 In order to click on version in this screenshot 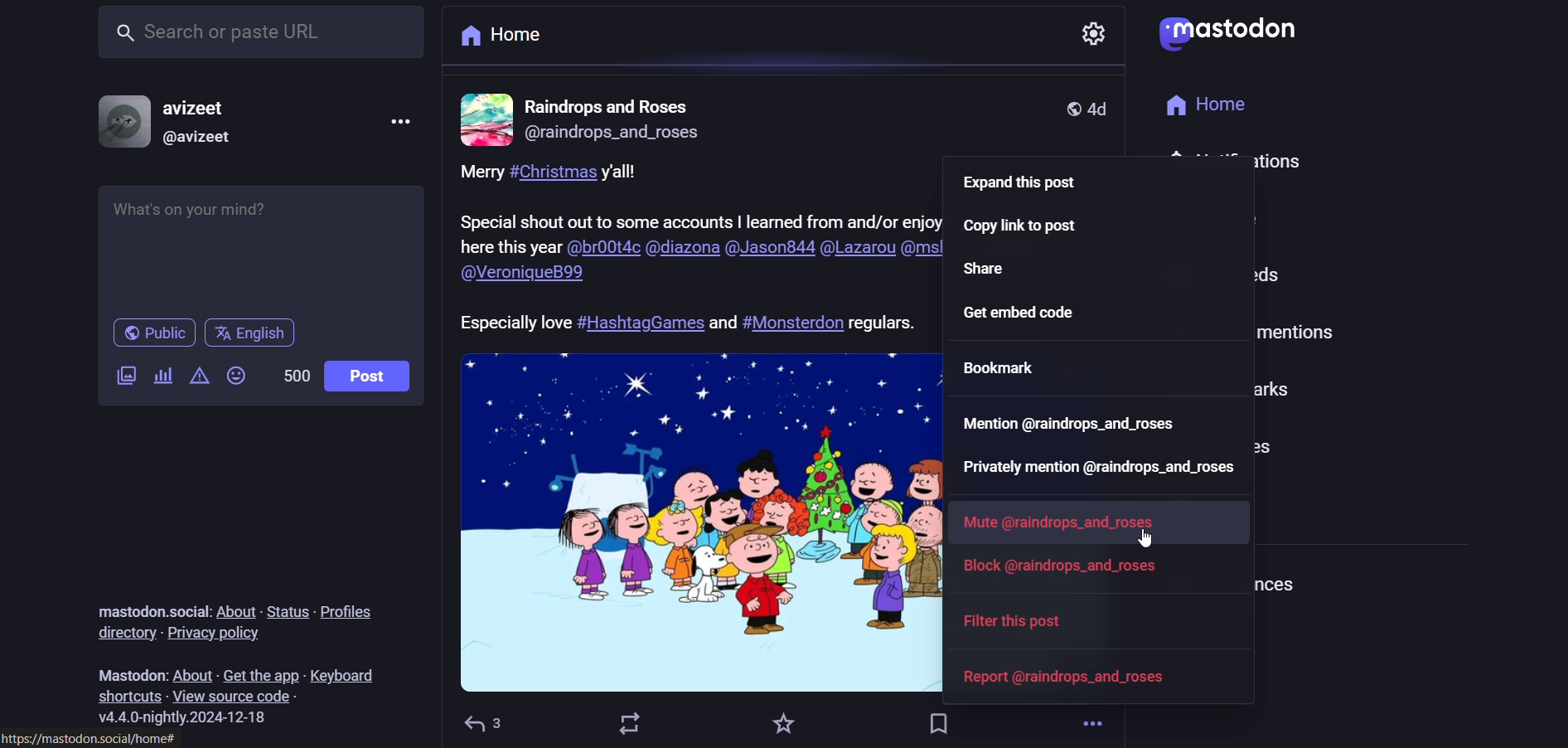, I will do `click(194, 718)`.